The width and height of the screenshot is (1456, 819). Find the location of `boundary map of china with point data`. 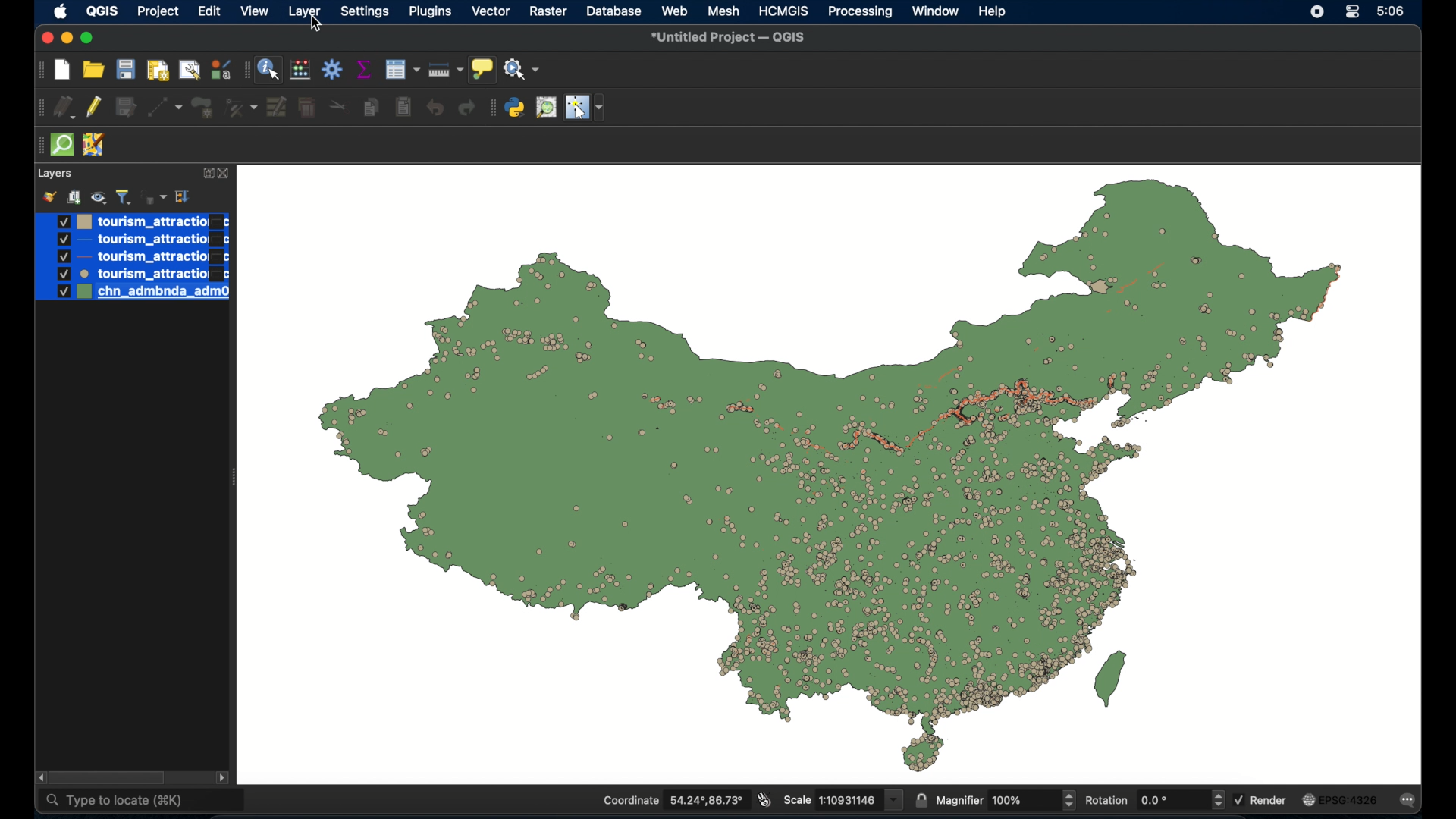

boundary map of china with point data is located at coordinates (821, 471).